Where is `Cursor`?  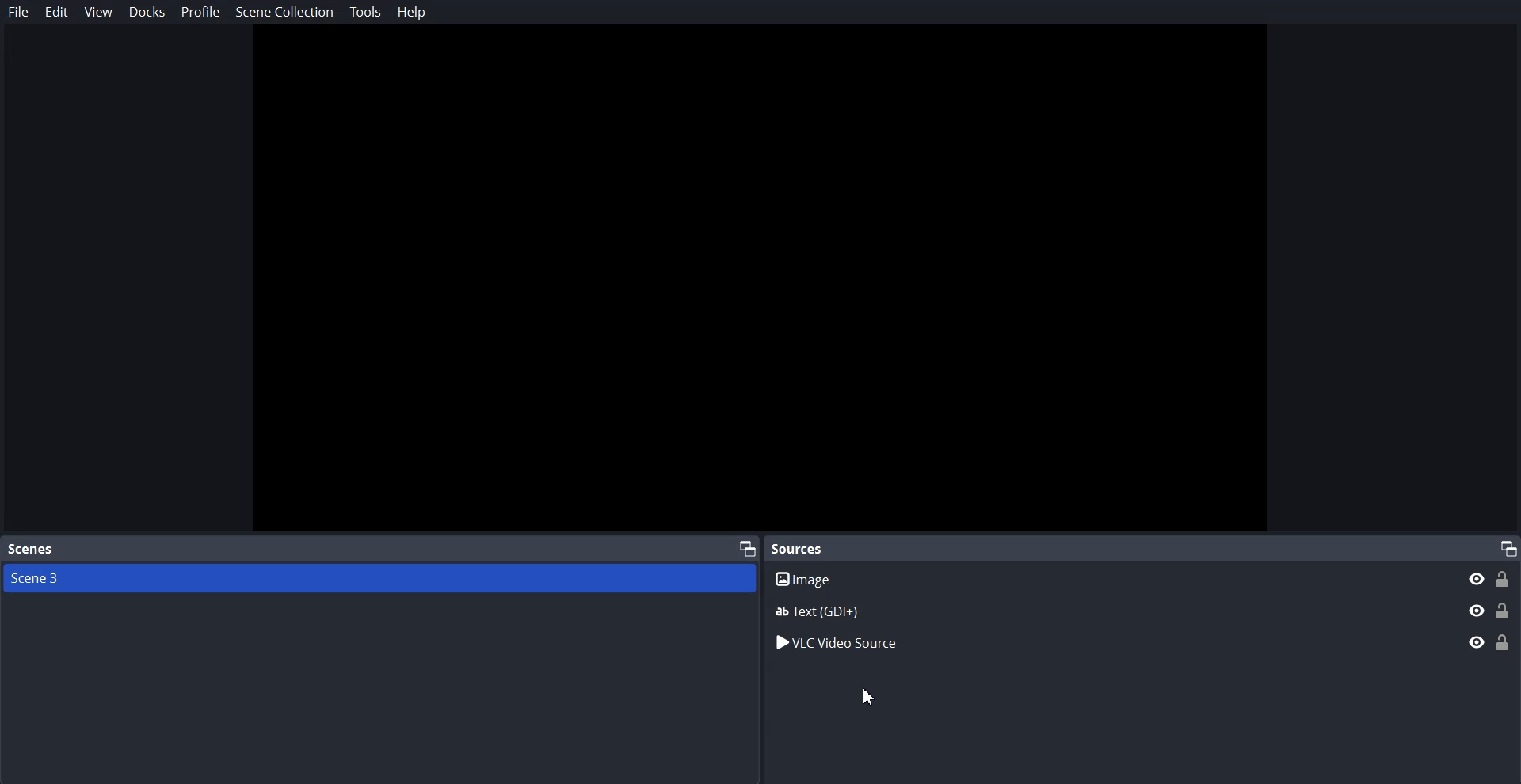 Cursor is located at coordinates (865, 697).